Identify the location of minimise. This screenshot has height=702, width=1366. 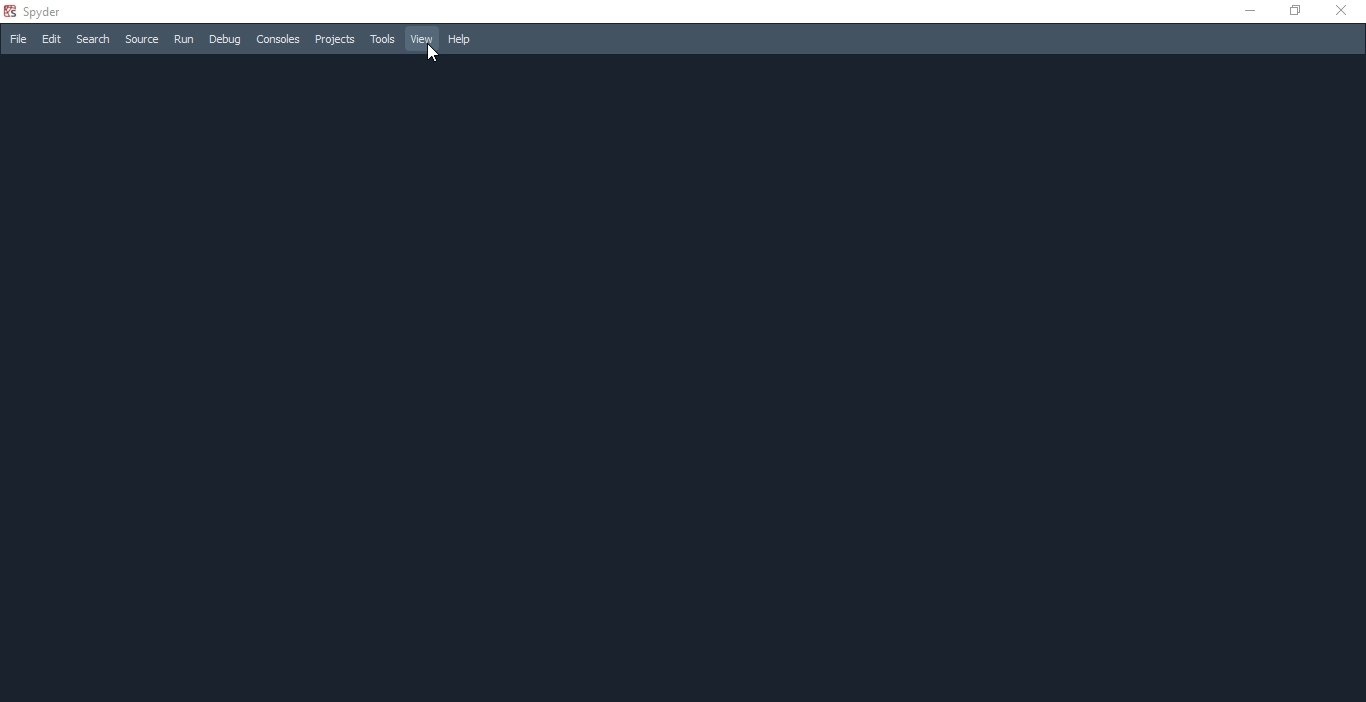
(1246, 14).